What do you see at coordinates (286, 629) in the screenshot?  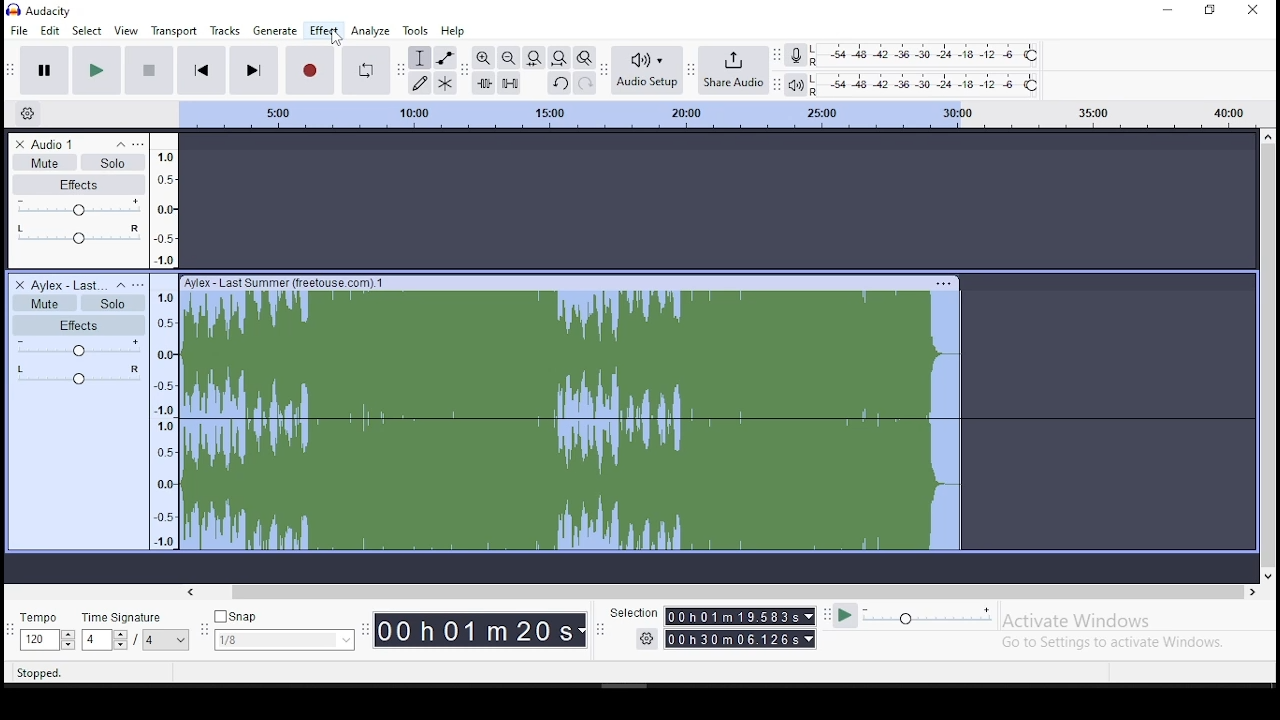 I see `snap` at bounding box center [286, 629].